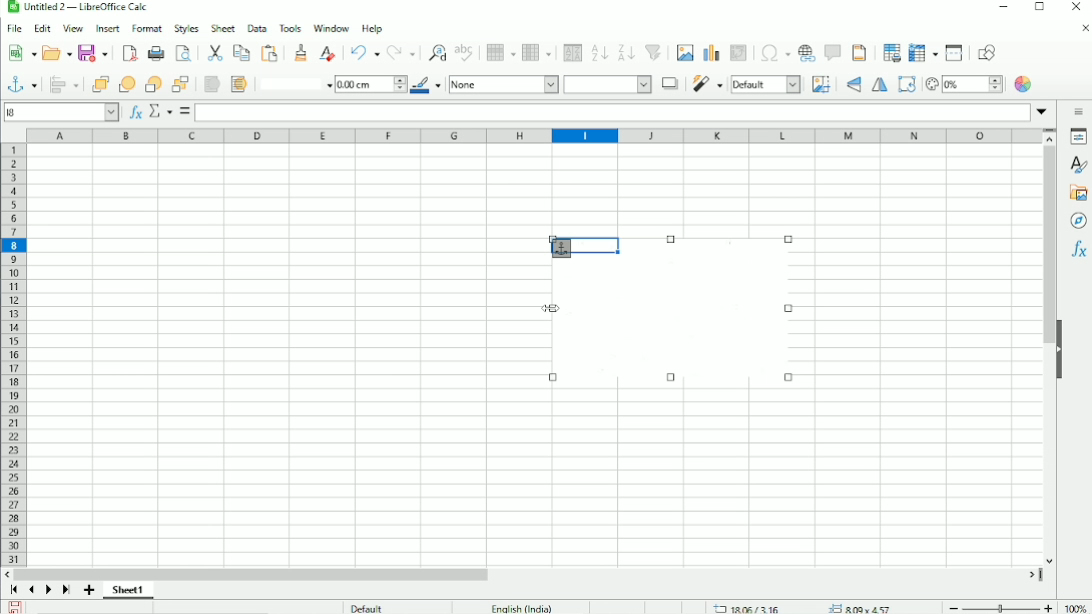 Image resolution: width=1092 pixels, height=614 pixels. I want to click on Line style, so click(293, 83).